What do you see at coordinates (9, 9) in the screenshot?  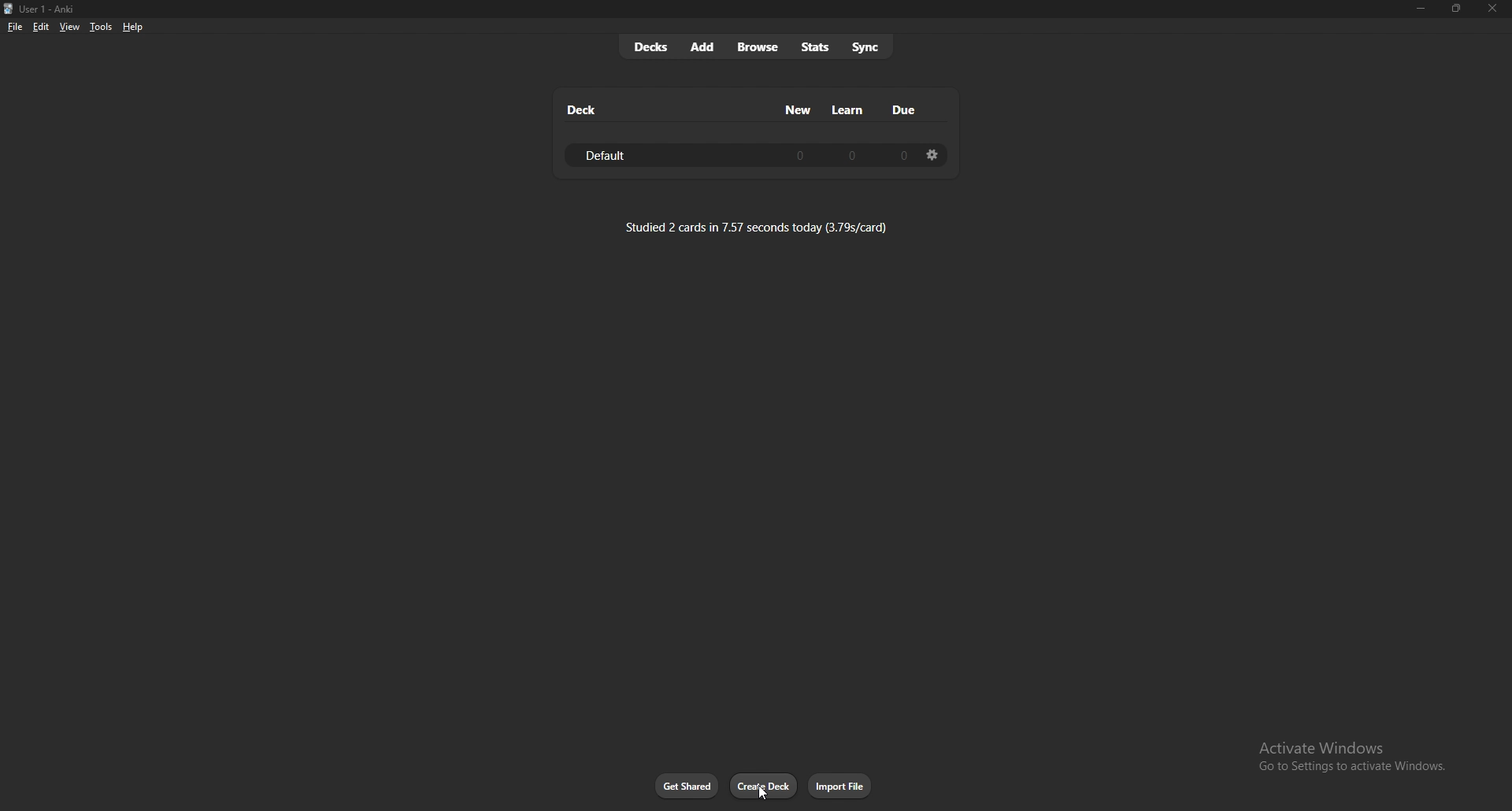 I see `logo` at bounding box center [9, 9].